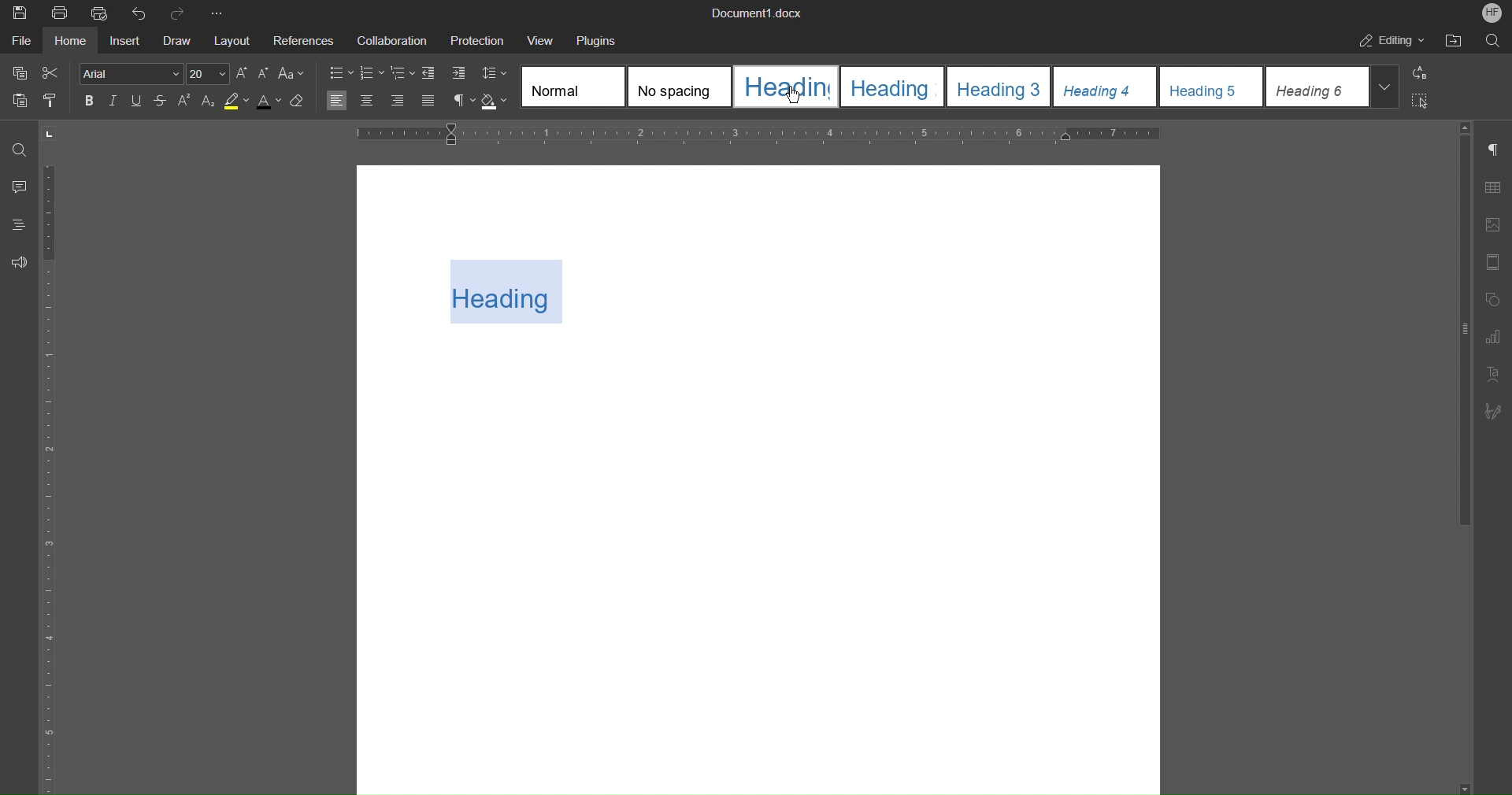  I want to click on Document.docx, so click(755, 13).